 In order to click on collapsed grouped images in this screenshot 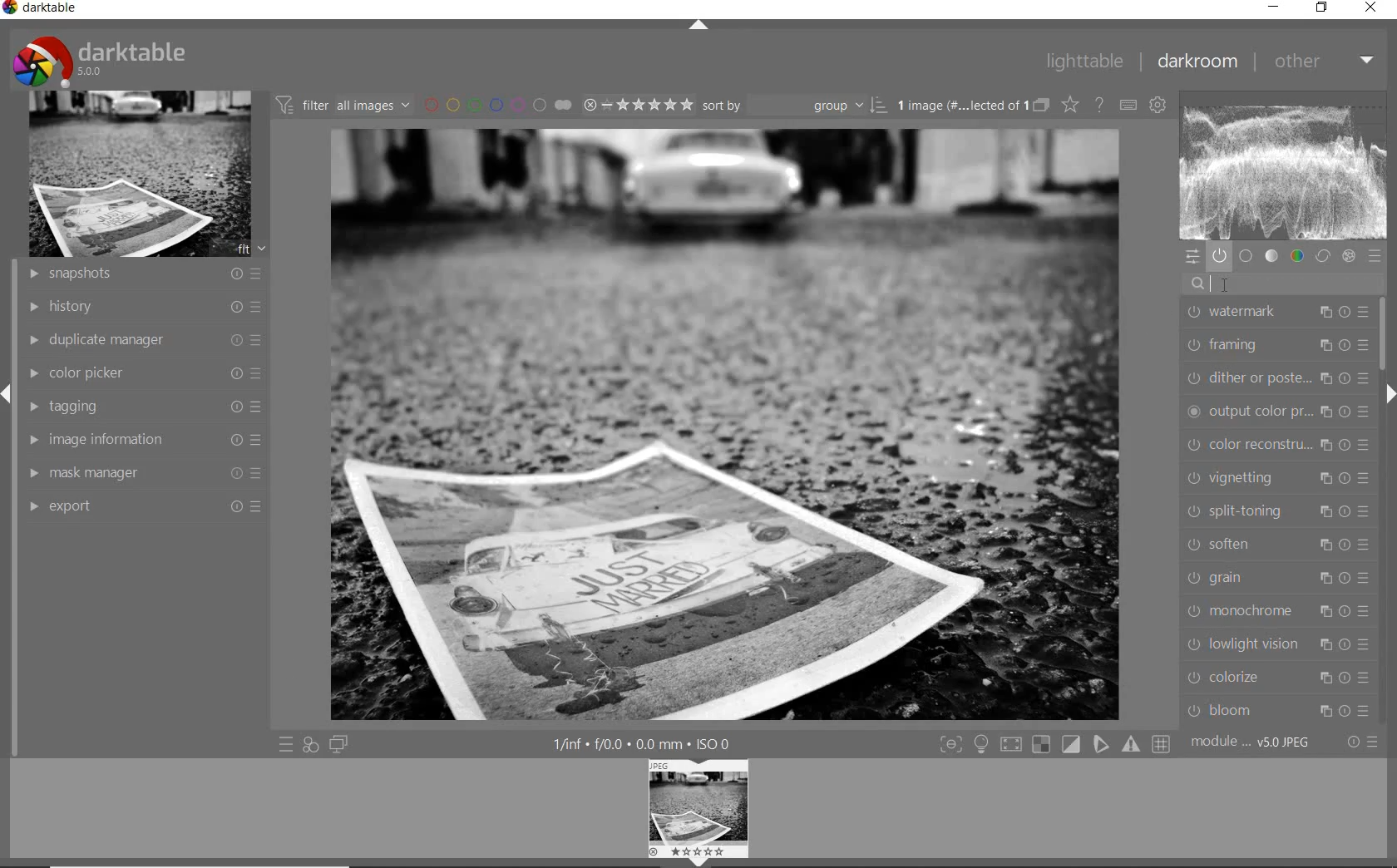, I will do `click(1042, 105)`.